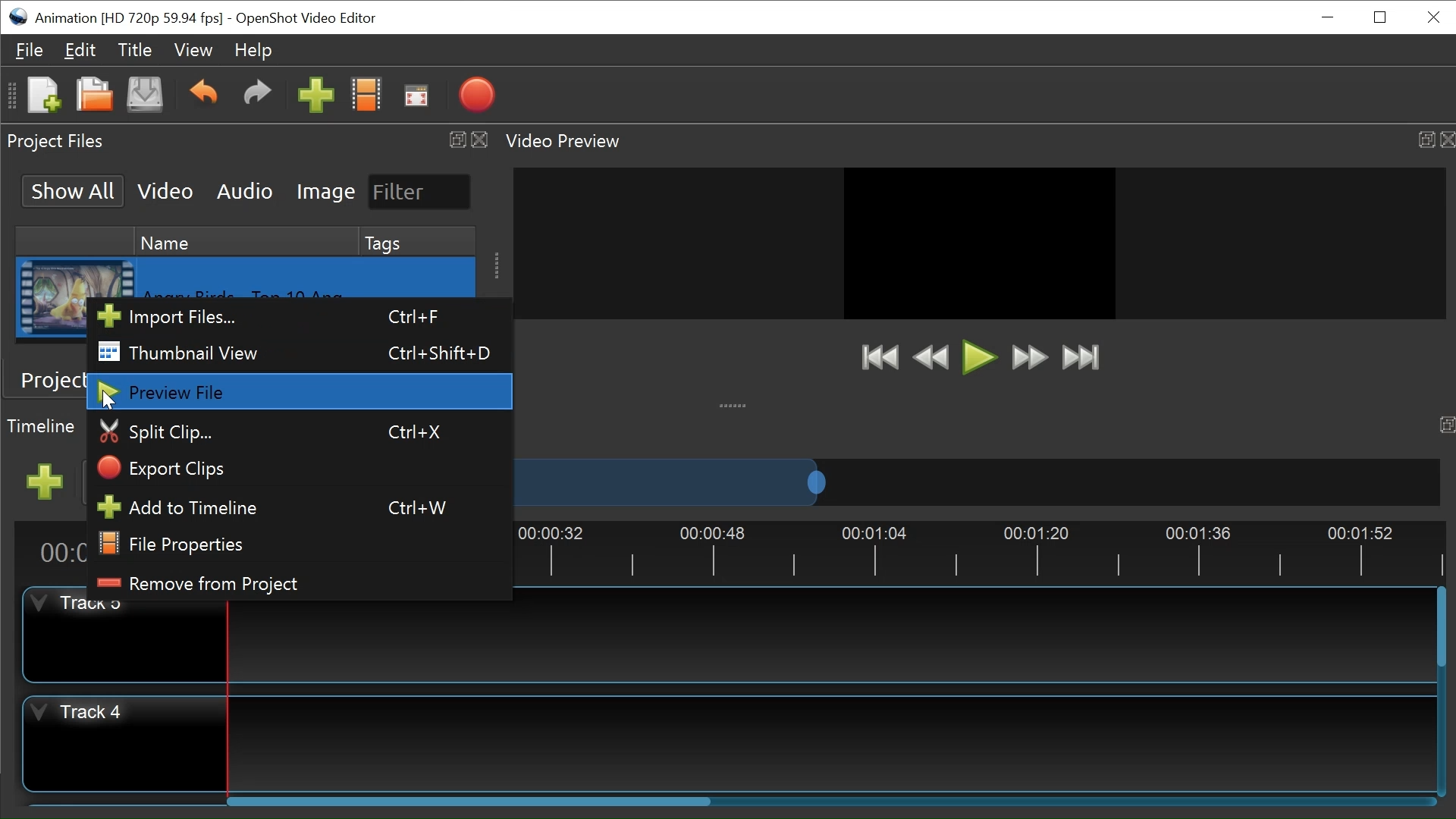 This screenshot has height=819, width=1456. What do you see at coordinates (882, 359) in the screenshot?
I see `Jump to Start` at bounding box center [882, 359].